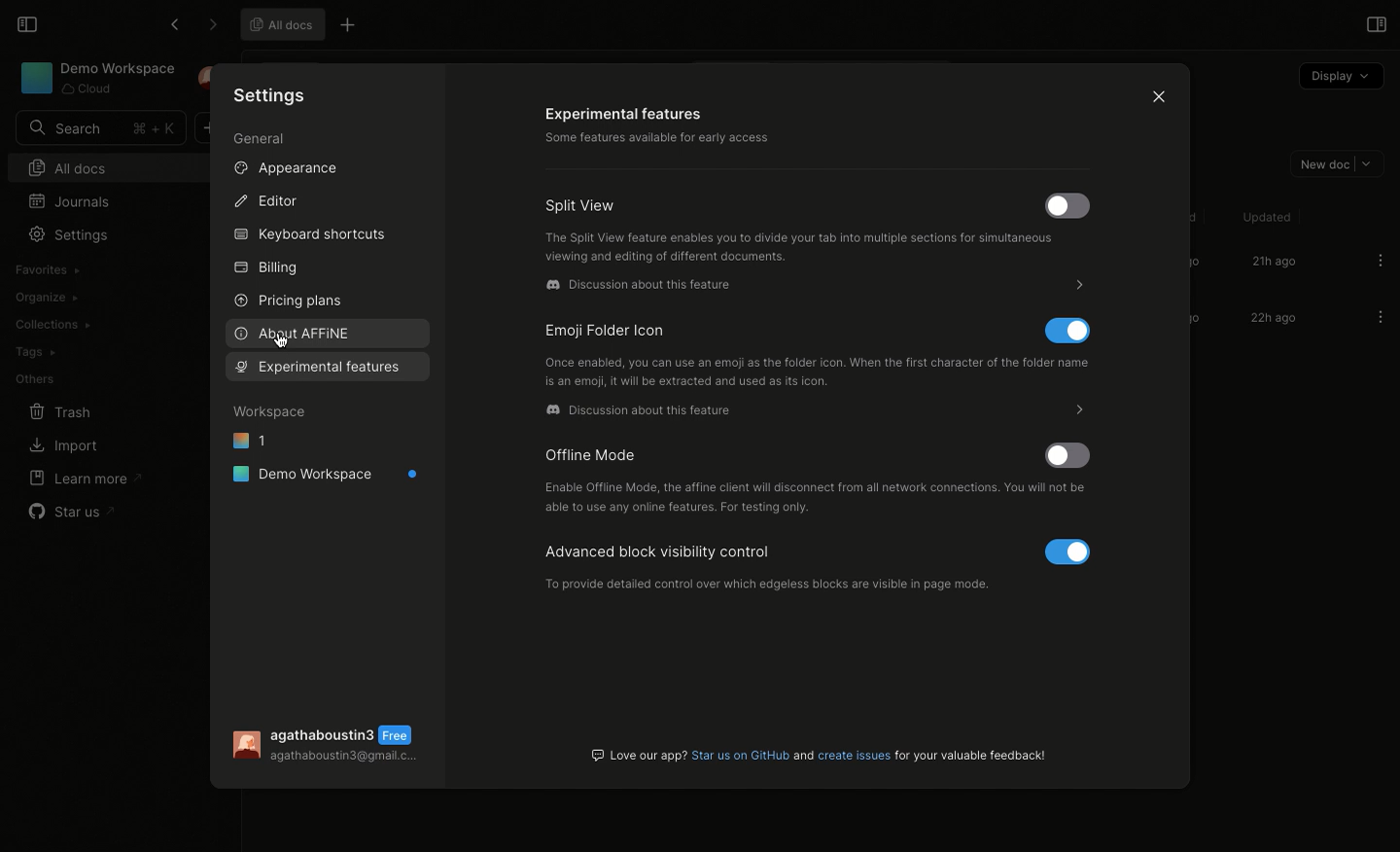 The height and width of the screenshot is (852, 1400). I want to click on Enabled, so click(1072, 553).